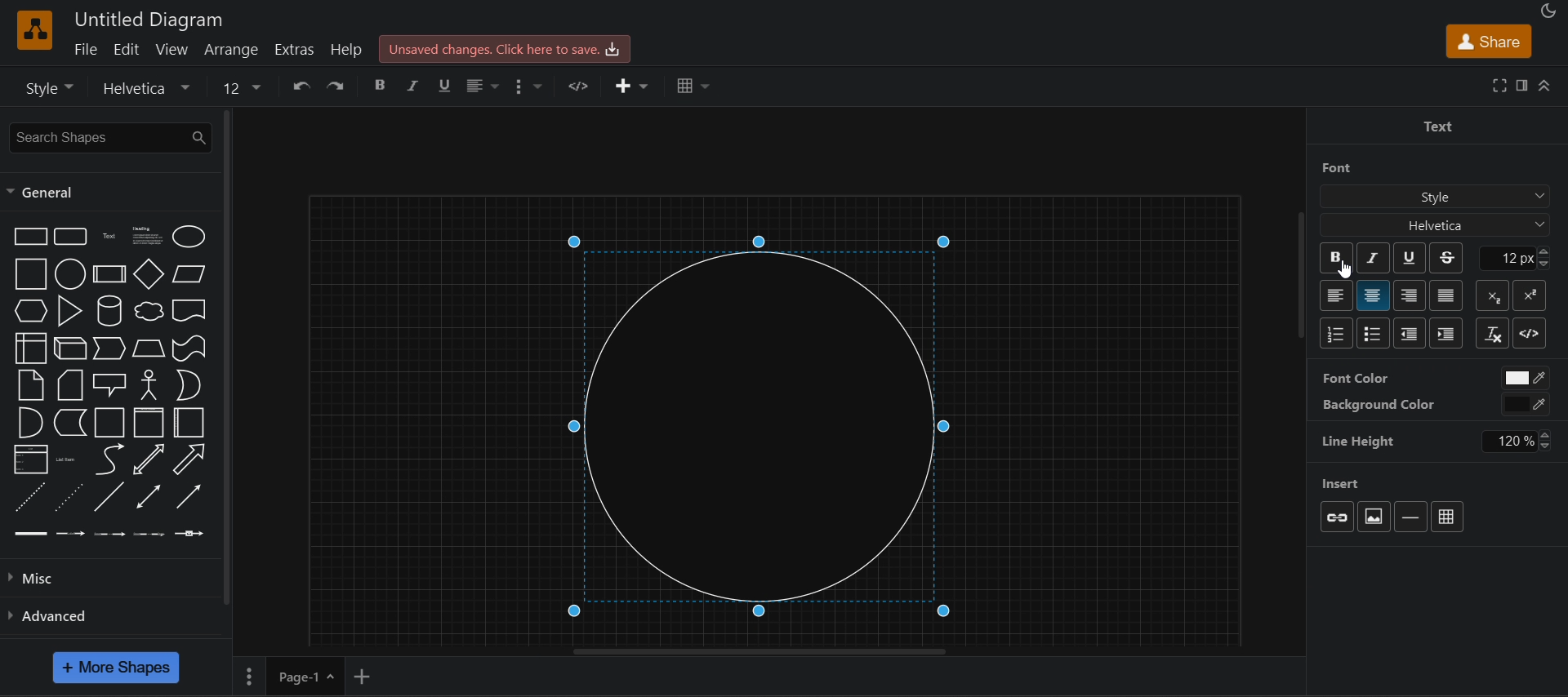 The width and height of the screenshot is (1568, 697). I want to click on page 1, so click(302, 680).